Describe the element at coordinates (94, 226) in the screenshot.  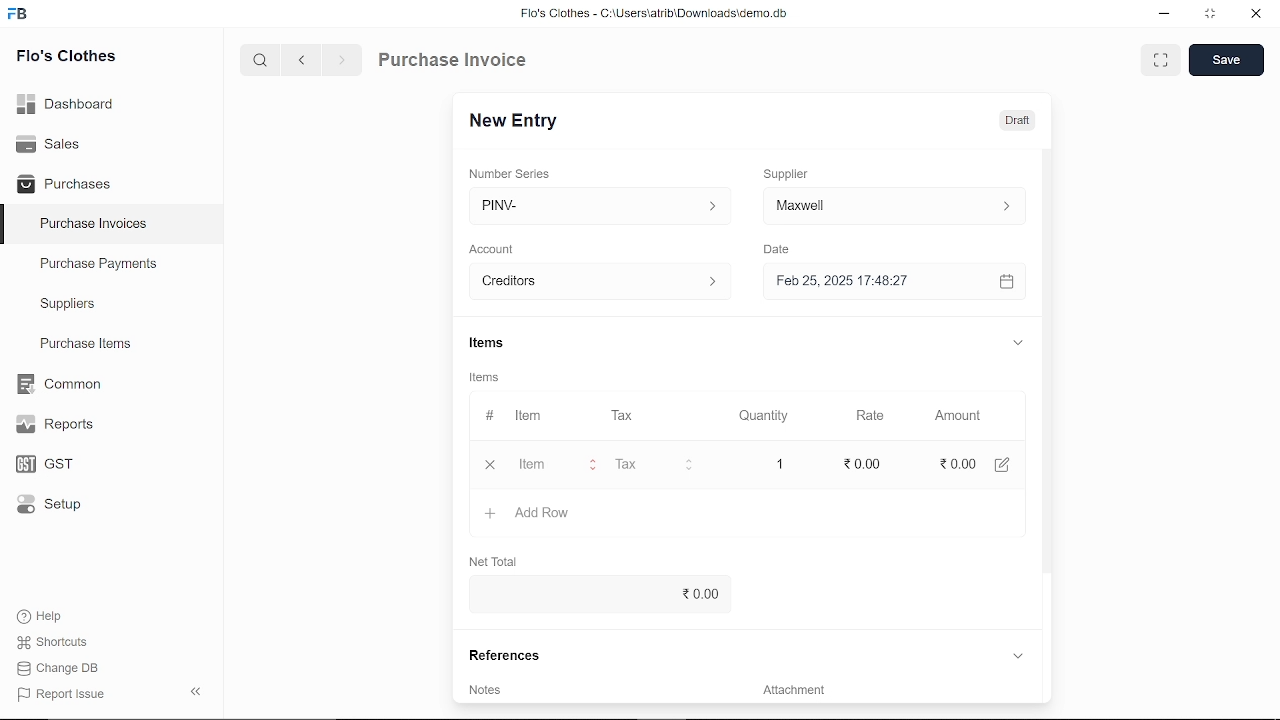
I see `Purchase Invoices` at that location.